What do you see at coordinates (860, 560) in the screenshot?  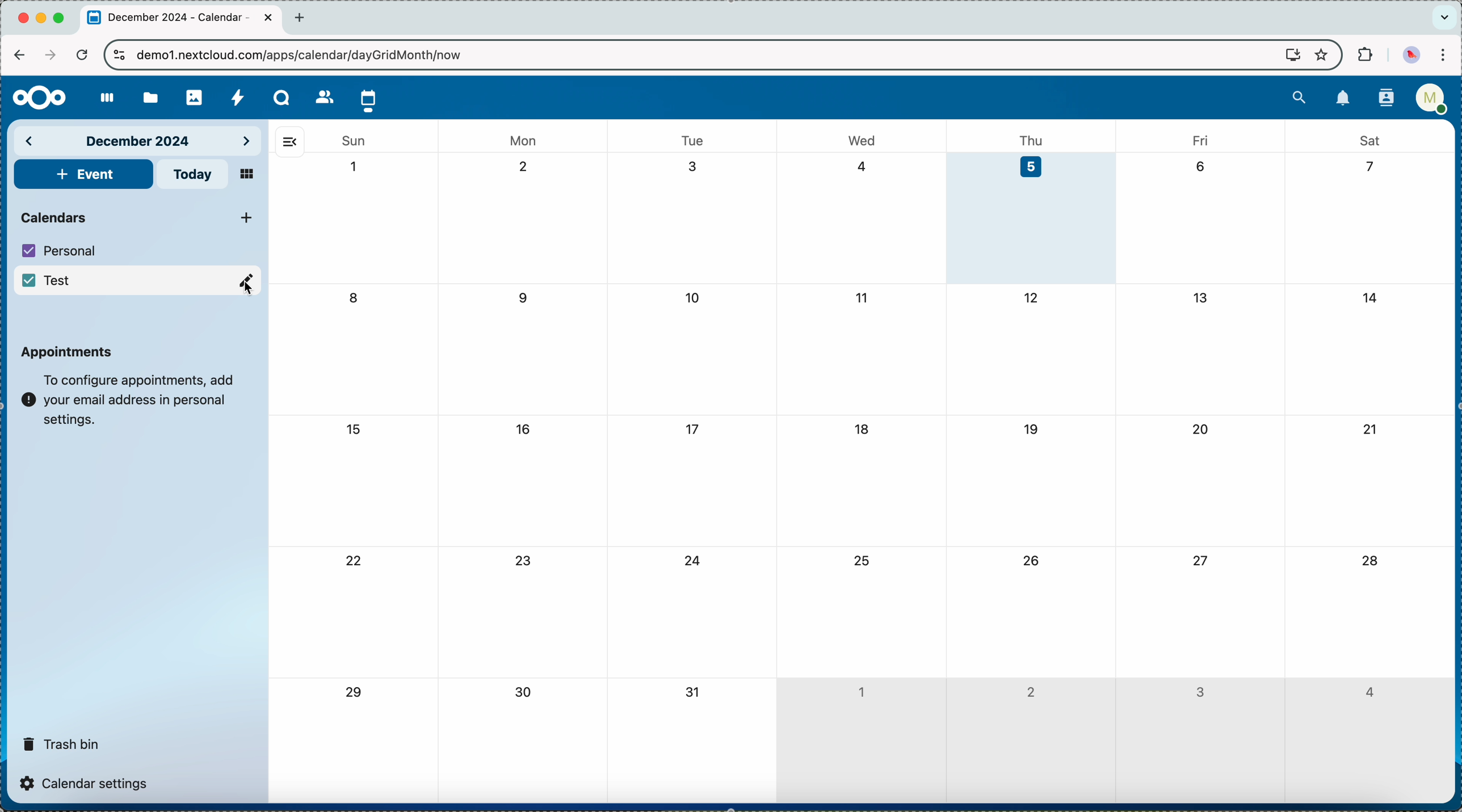 I see `25` at bounding box center [860, 560].